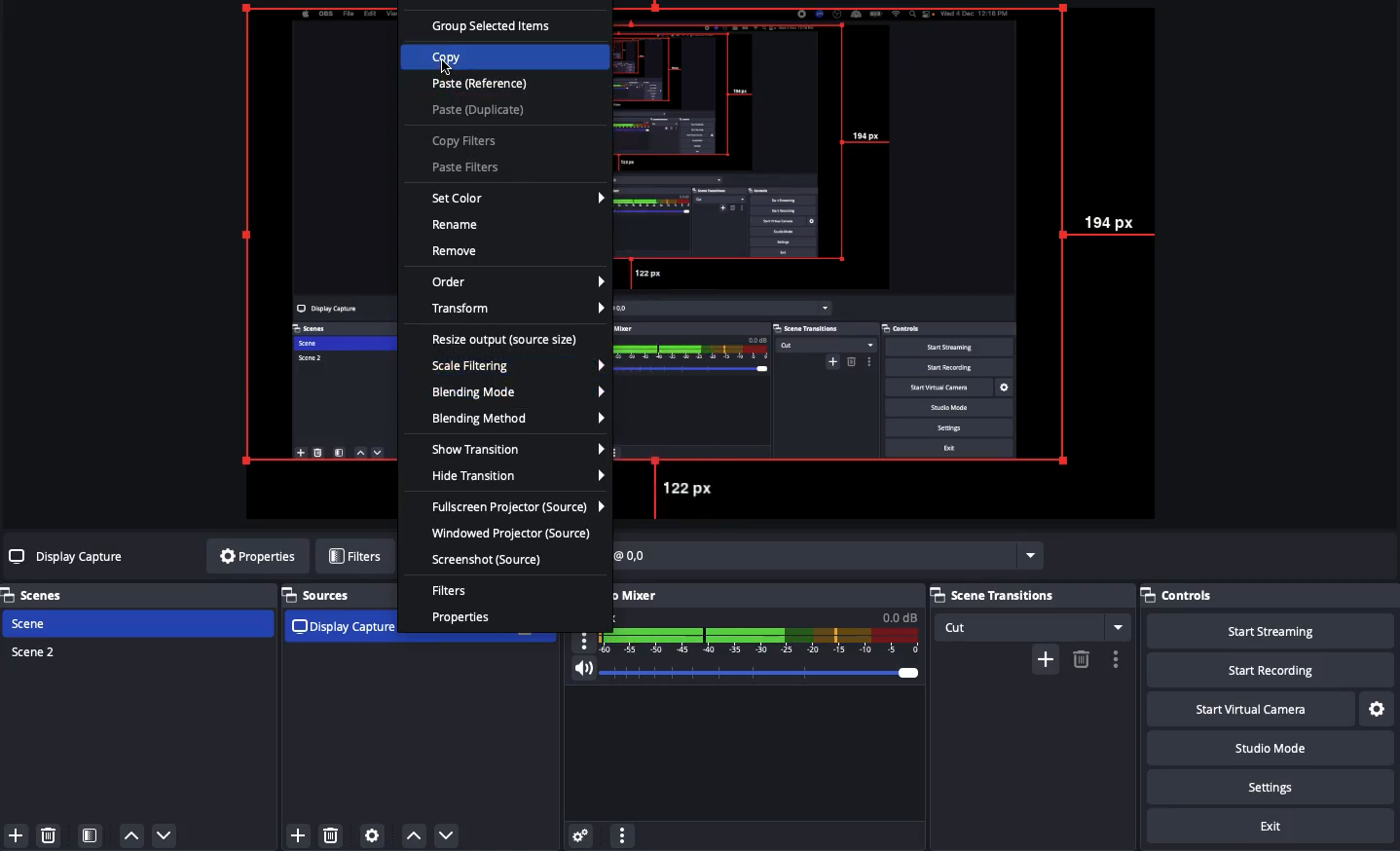 Image resolution: width=1400 pixels, height=851 pixels. I want to click on Hide transition, so click(522, 477).